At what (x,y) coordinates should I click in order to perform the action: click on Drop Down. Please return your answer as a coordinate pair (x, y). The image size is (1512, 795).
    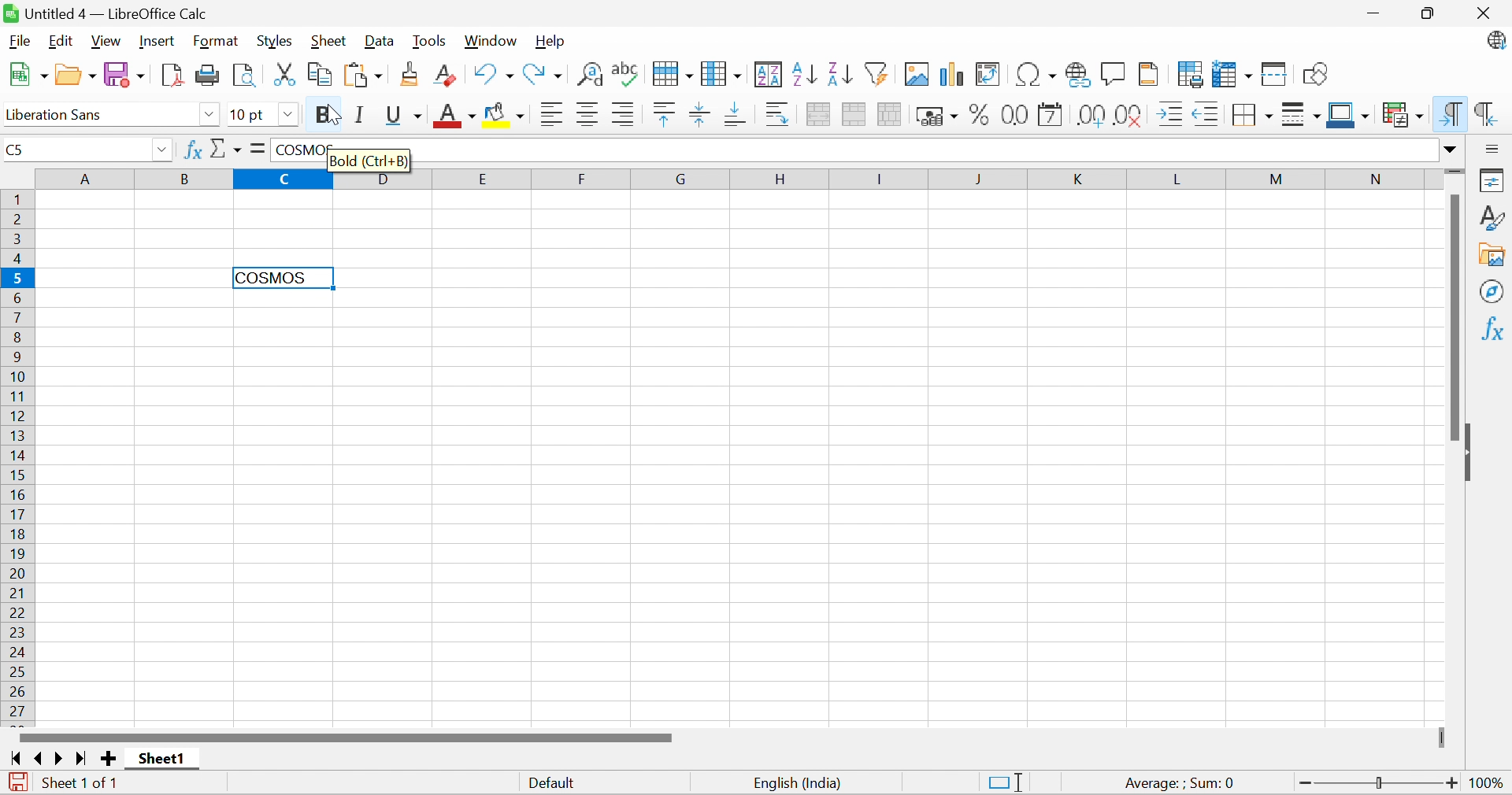
    Looking at the image, I should click on (1452, 150).